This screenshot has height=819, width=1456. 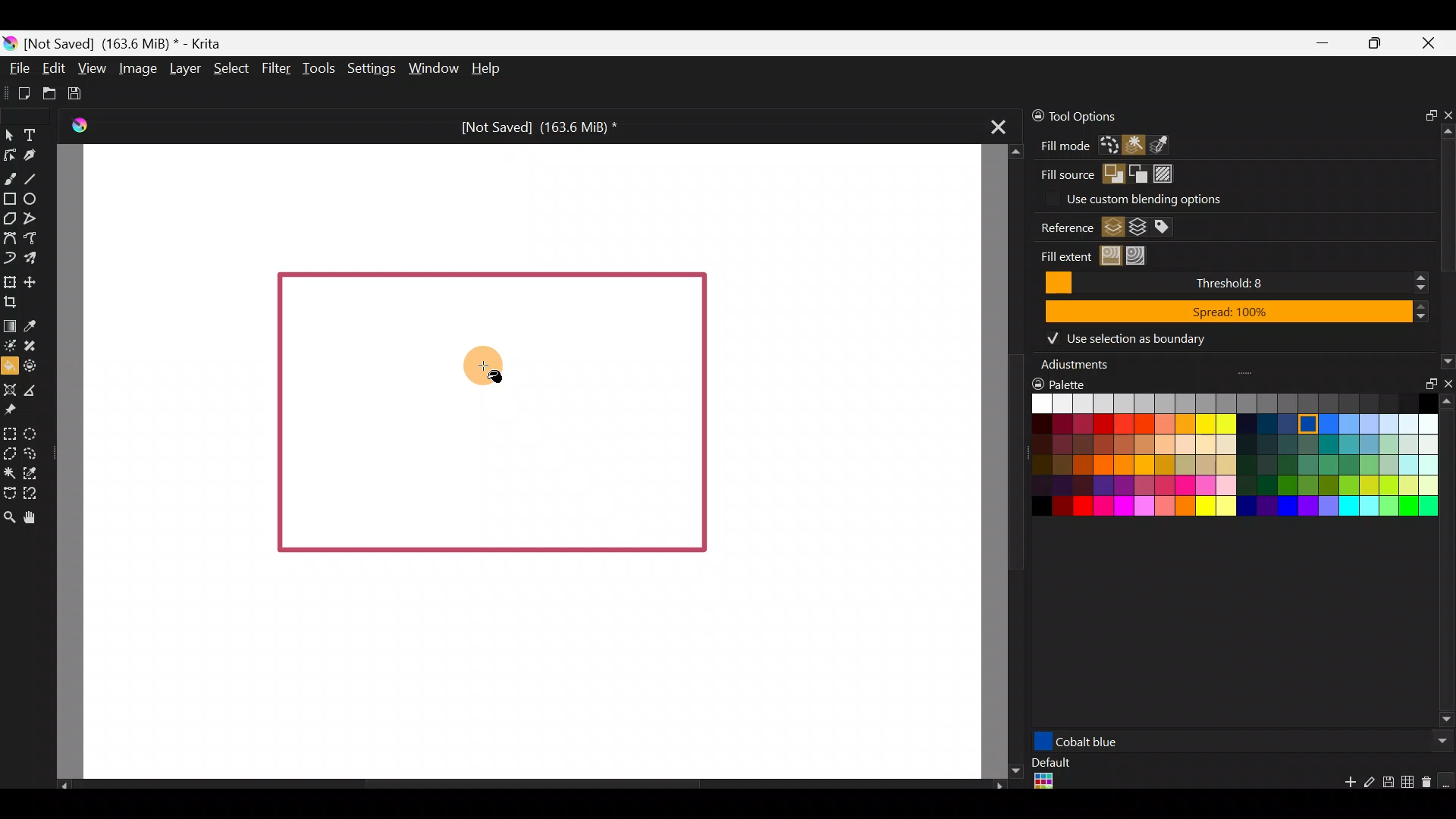 I want to click on Background color, so click(x=1138, y=172).